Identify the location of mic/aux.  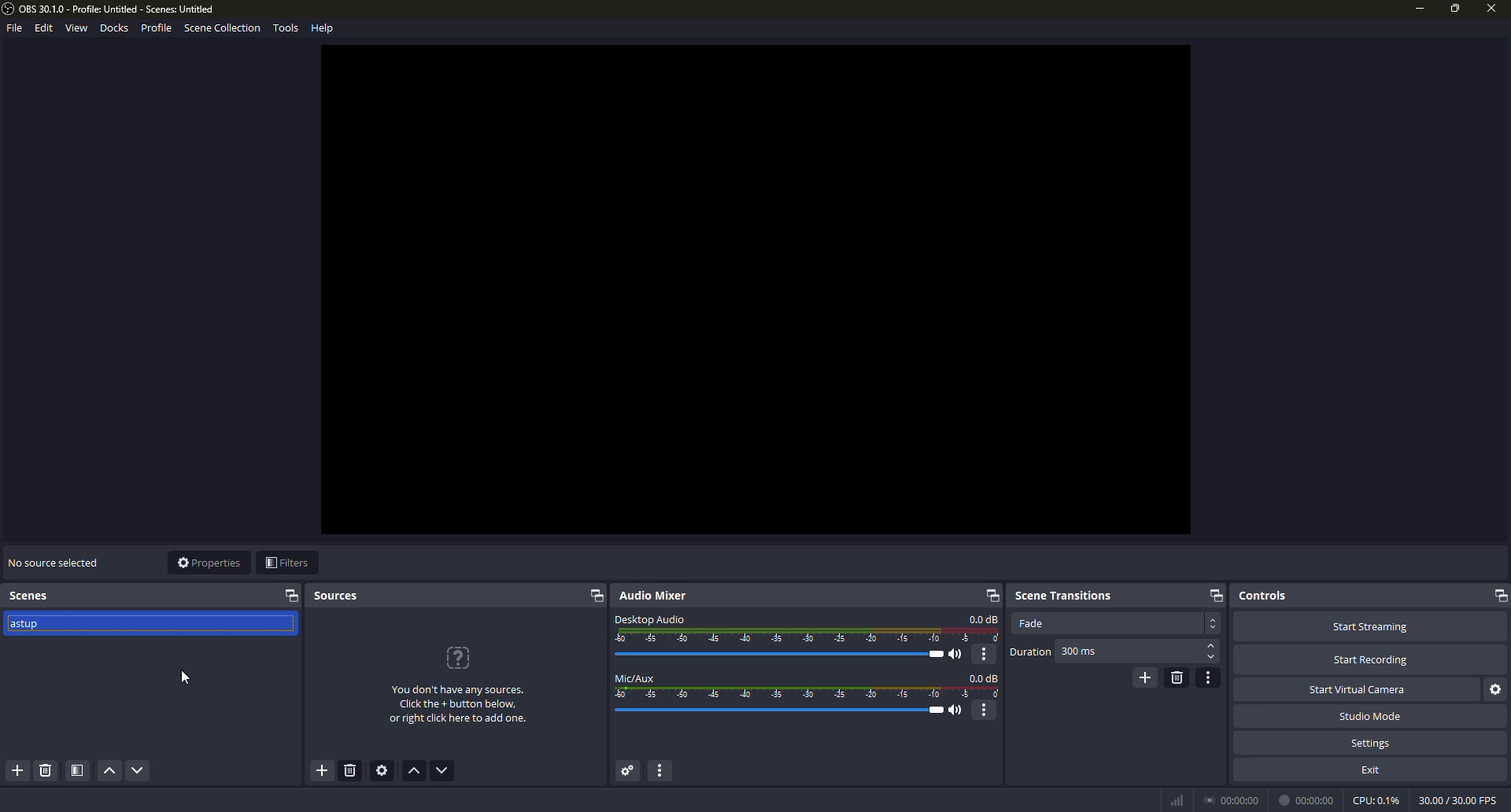
(636, 677).